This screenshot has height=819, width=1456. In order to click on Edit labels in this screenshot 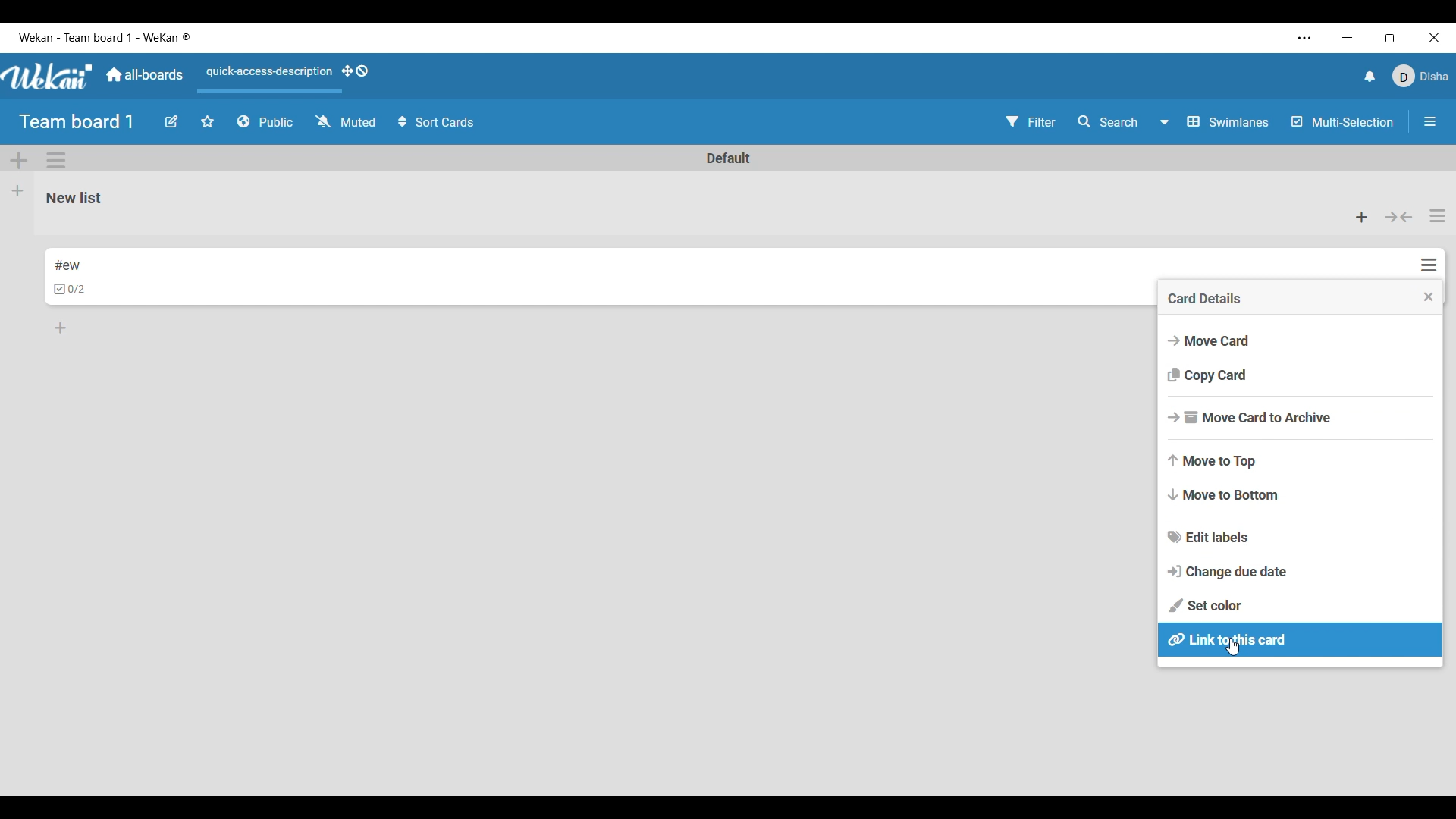, I will do `click(1301, 537)`.